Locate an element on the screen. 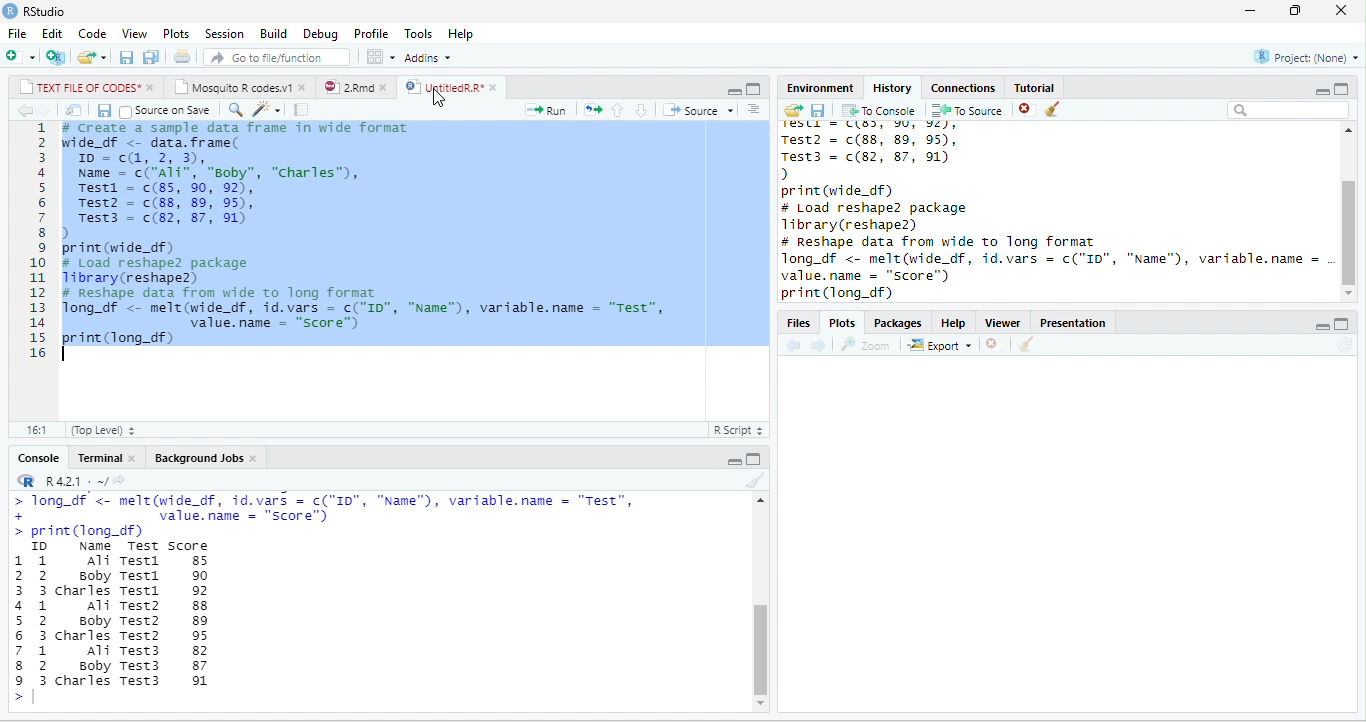 The height and width of the screenshot is (722, 1366). print(wide_df)# Load reshape? package1ibrary(reshape2) is located at coordinates (875, 208).